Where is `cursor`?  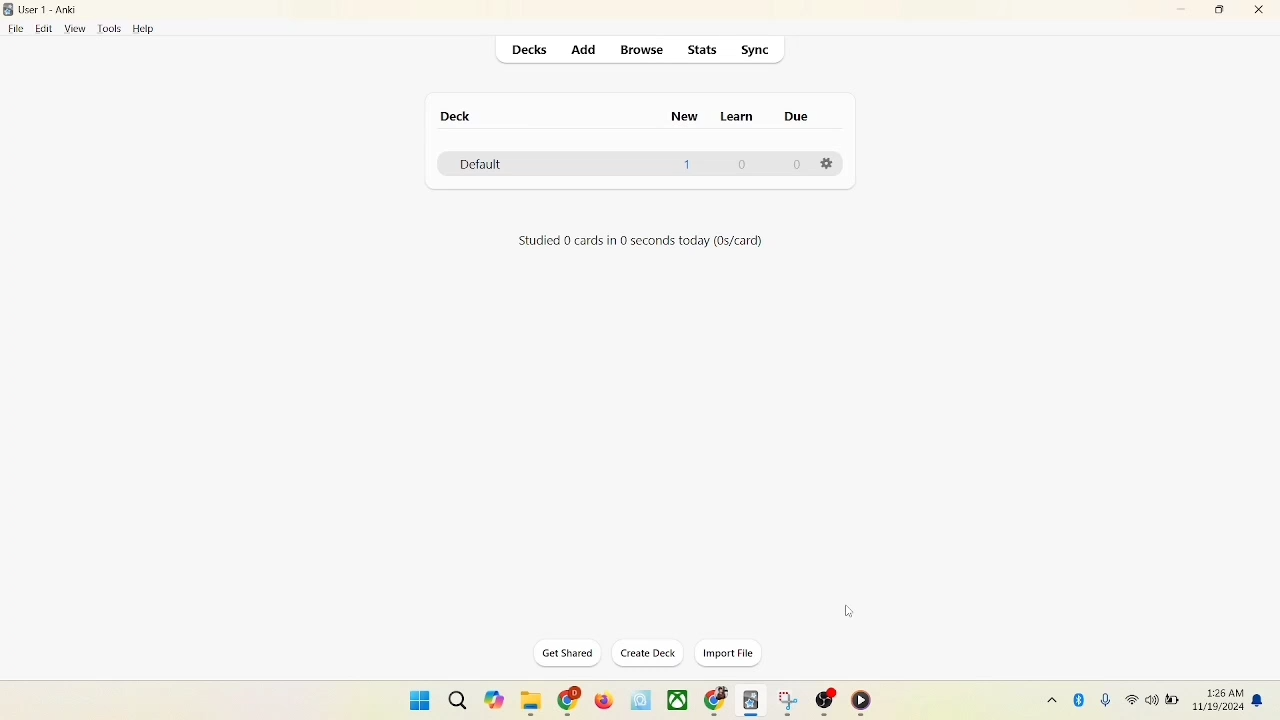 cursor is located at coordinates (844, 609).